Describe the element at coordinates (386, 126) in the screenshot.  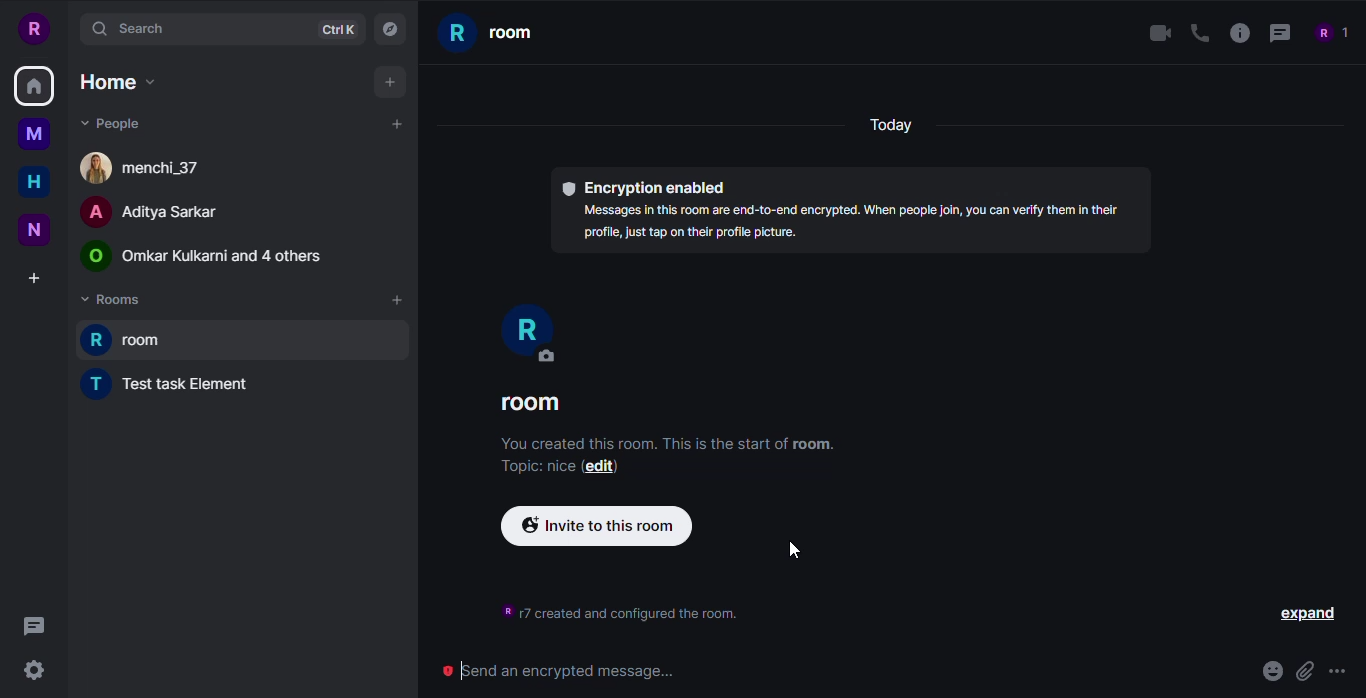
I see `add` at that location.